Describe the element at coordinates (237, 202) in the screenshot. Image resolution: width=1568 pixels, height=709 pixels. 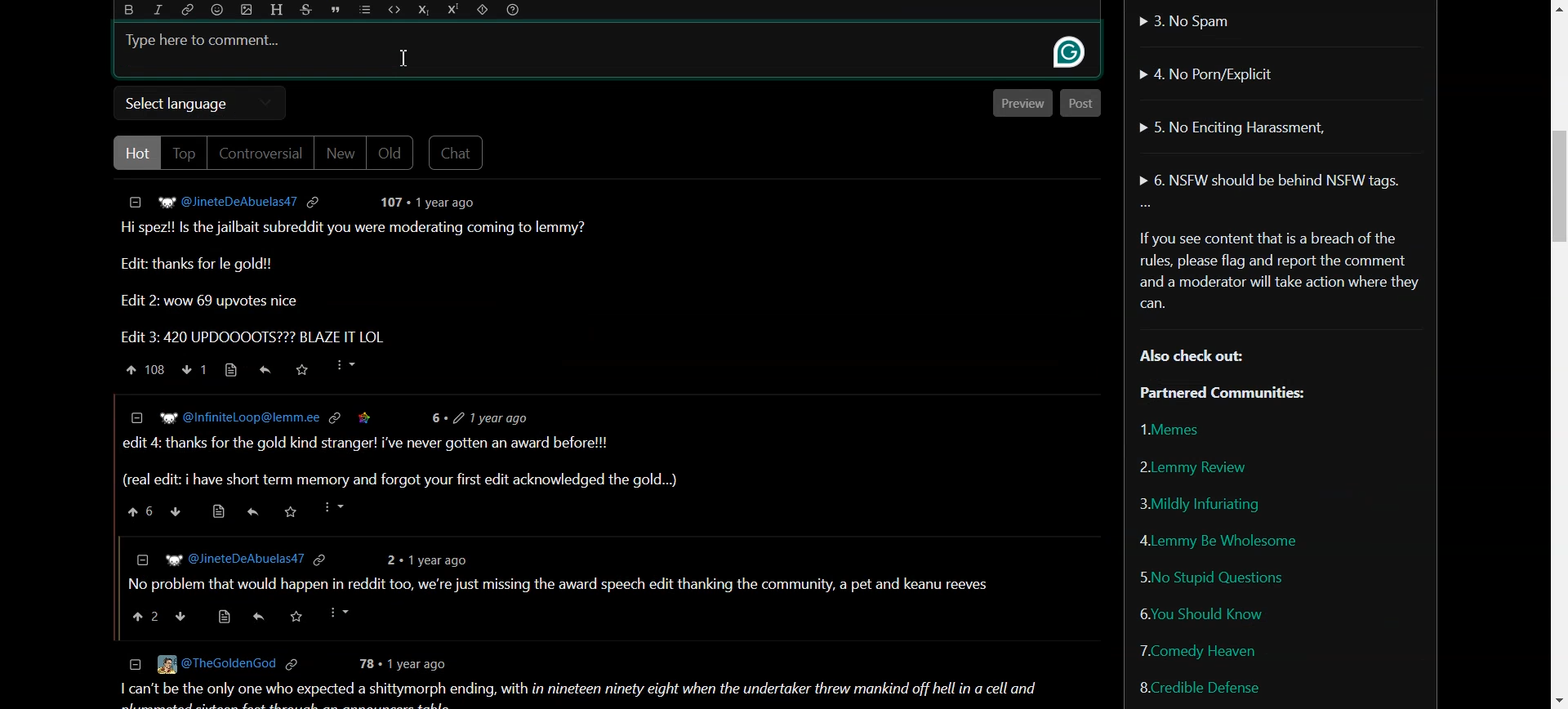
I see `Hyperlink` at that location.